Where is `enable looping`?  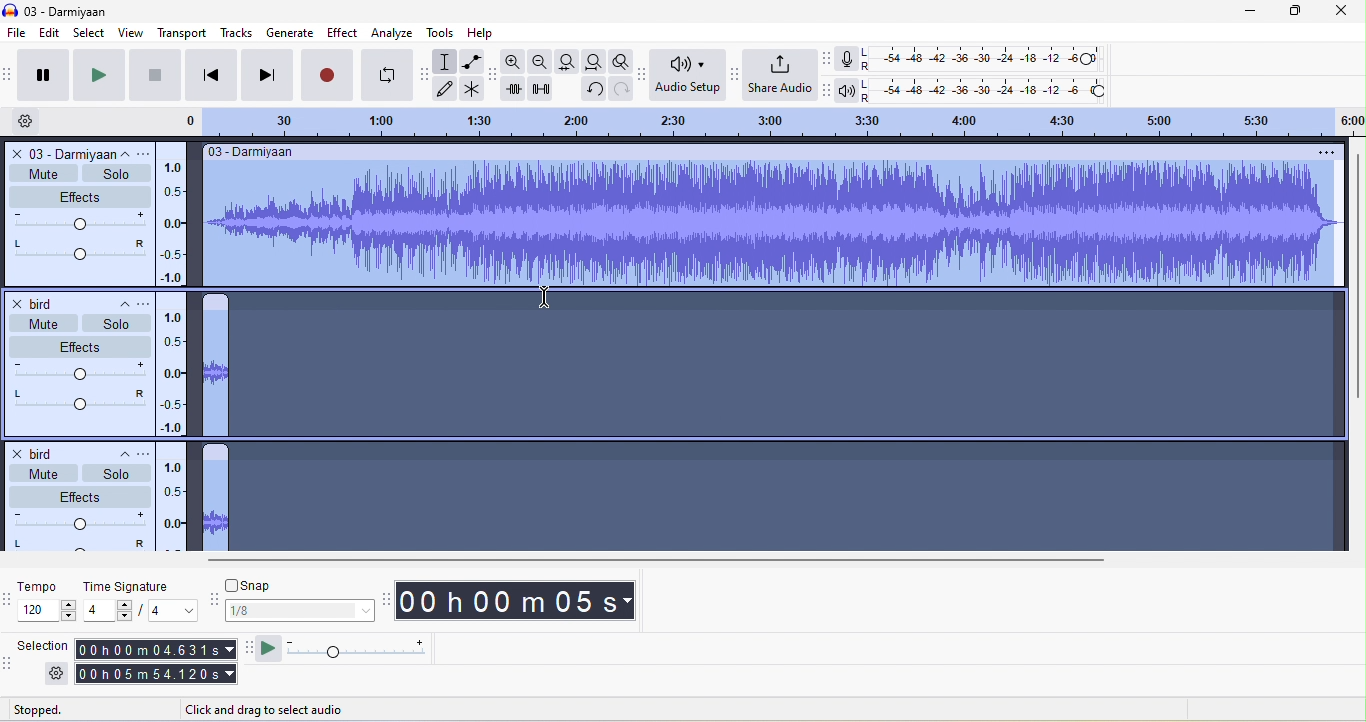
enable looping is located at coordinates (386, 76).